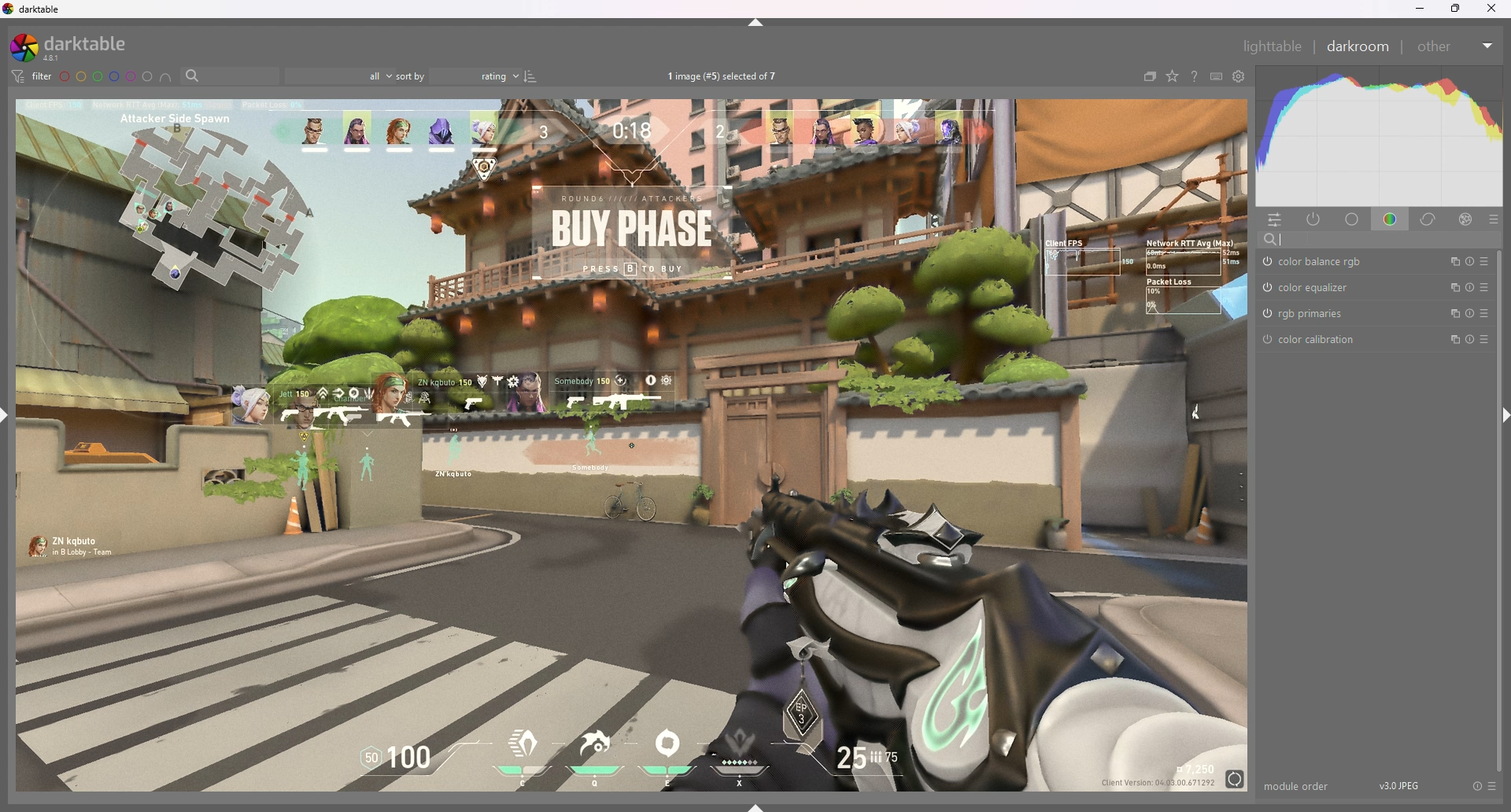 The image size is (1511, 812). I want to click on effect, so click(1467, 218).